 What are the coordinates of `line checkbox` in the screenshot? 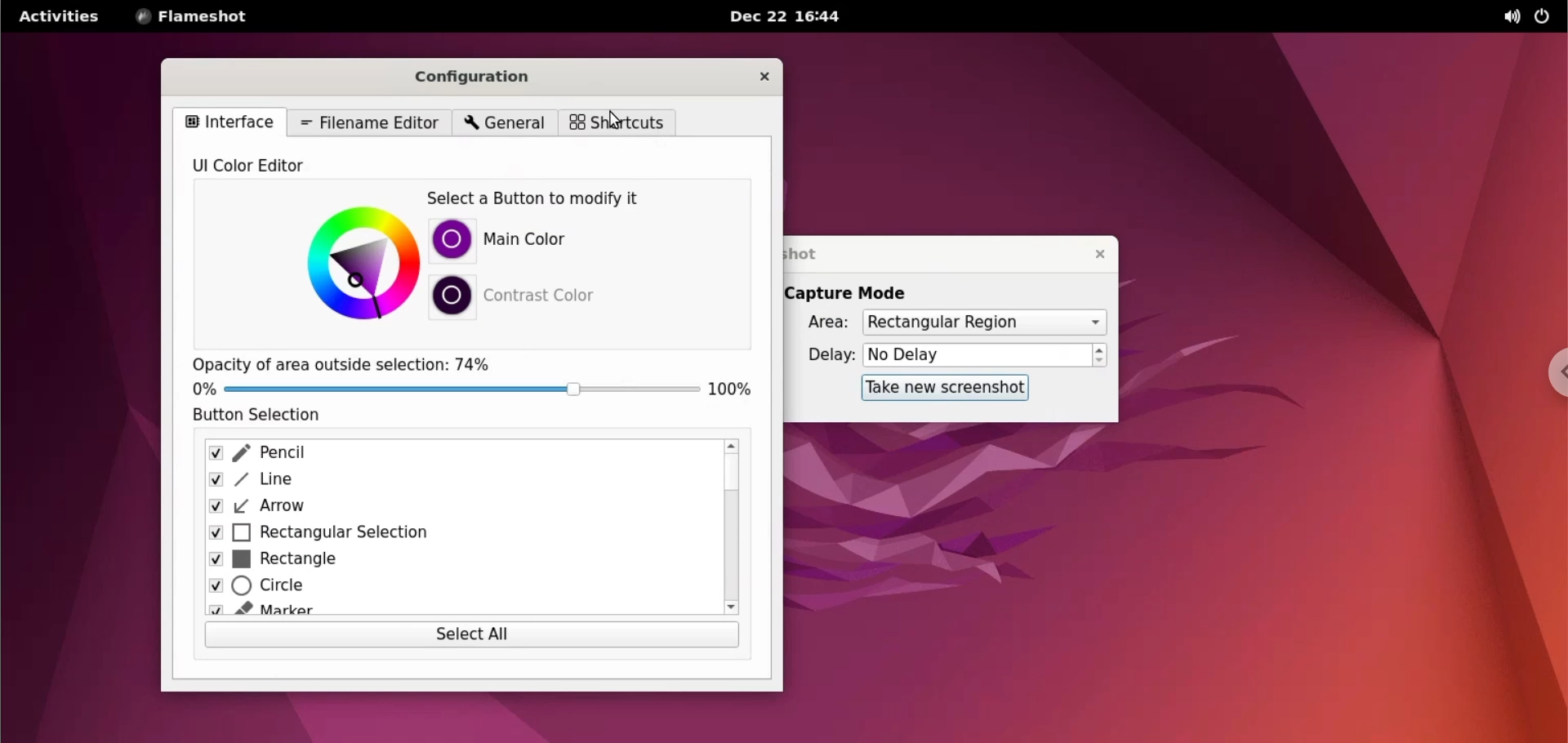 It's located at (460, 481).